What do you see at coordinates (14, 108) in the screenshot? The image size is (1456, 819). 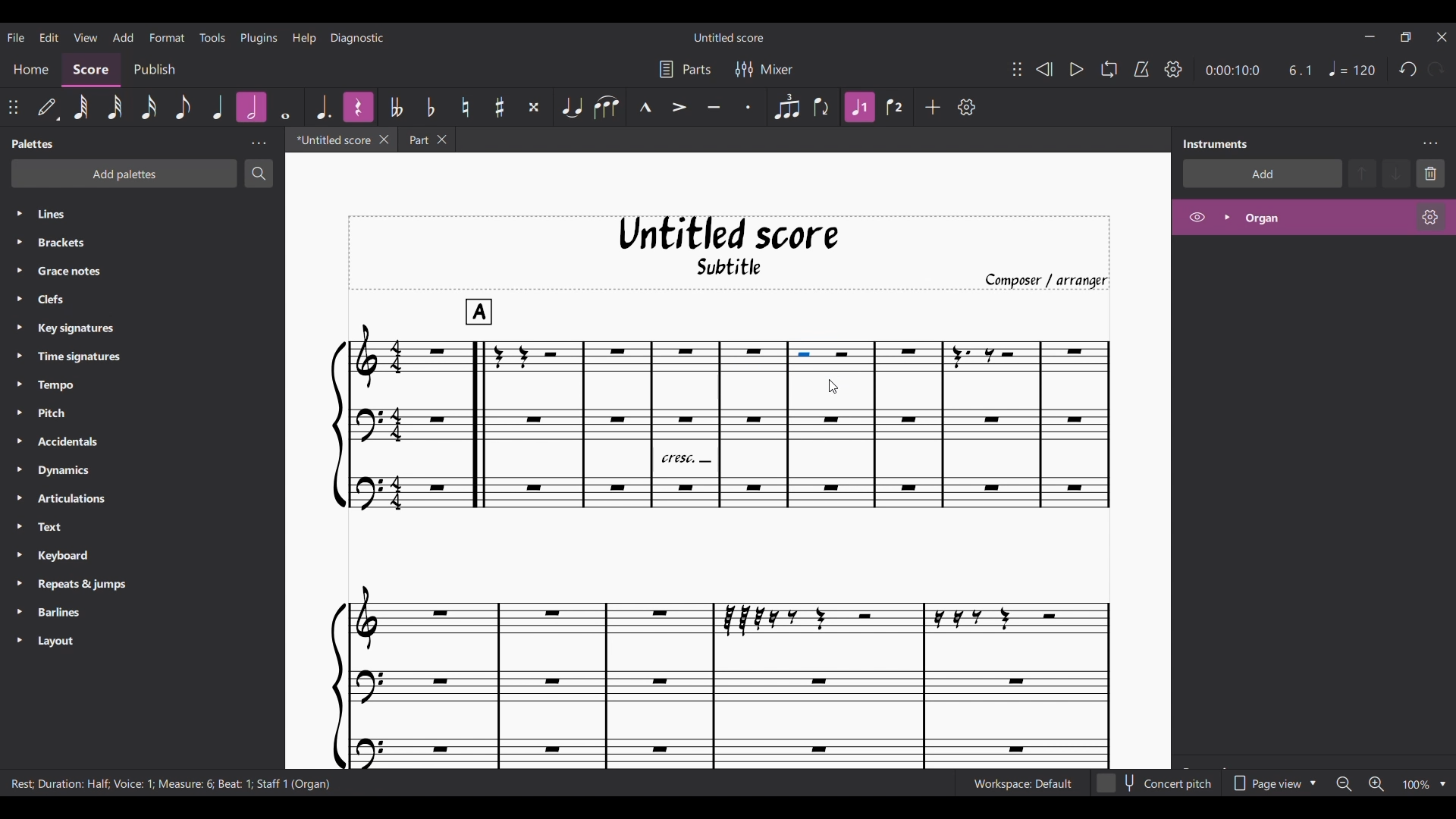 I see `Change position of toolbar attached` at bounding box center [14, 108].